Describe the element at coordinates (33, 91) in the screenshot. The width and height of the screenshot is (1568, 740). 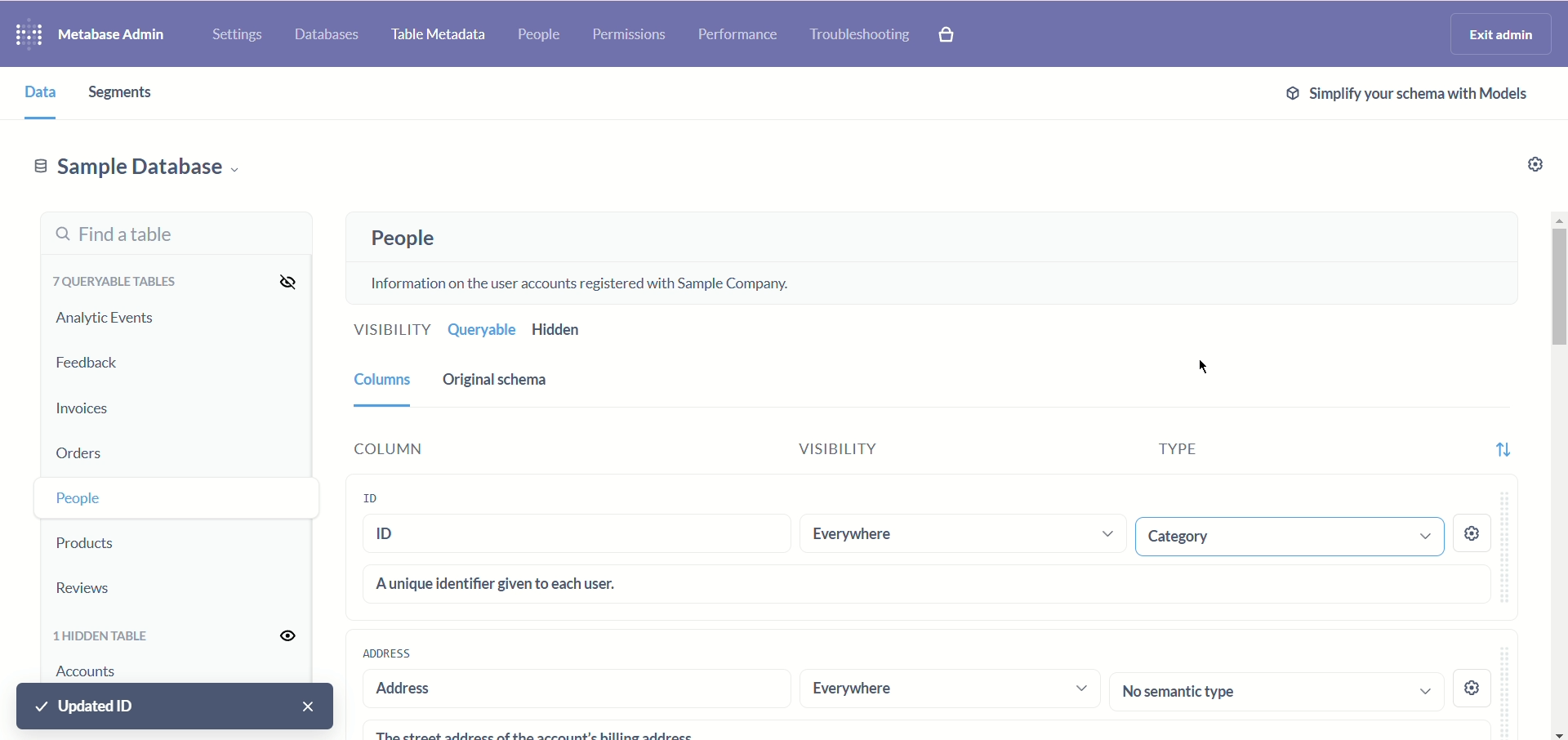
I see `data` at that location.